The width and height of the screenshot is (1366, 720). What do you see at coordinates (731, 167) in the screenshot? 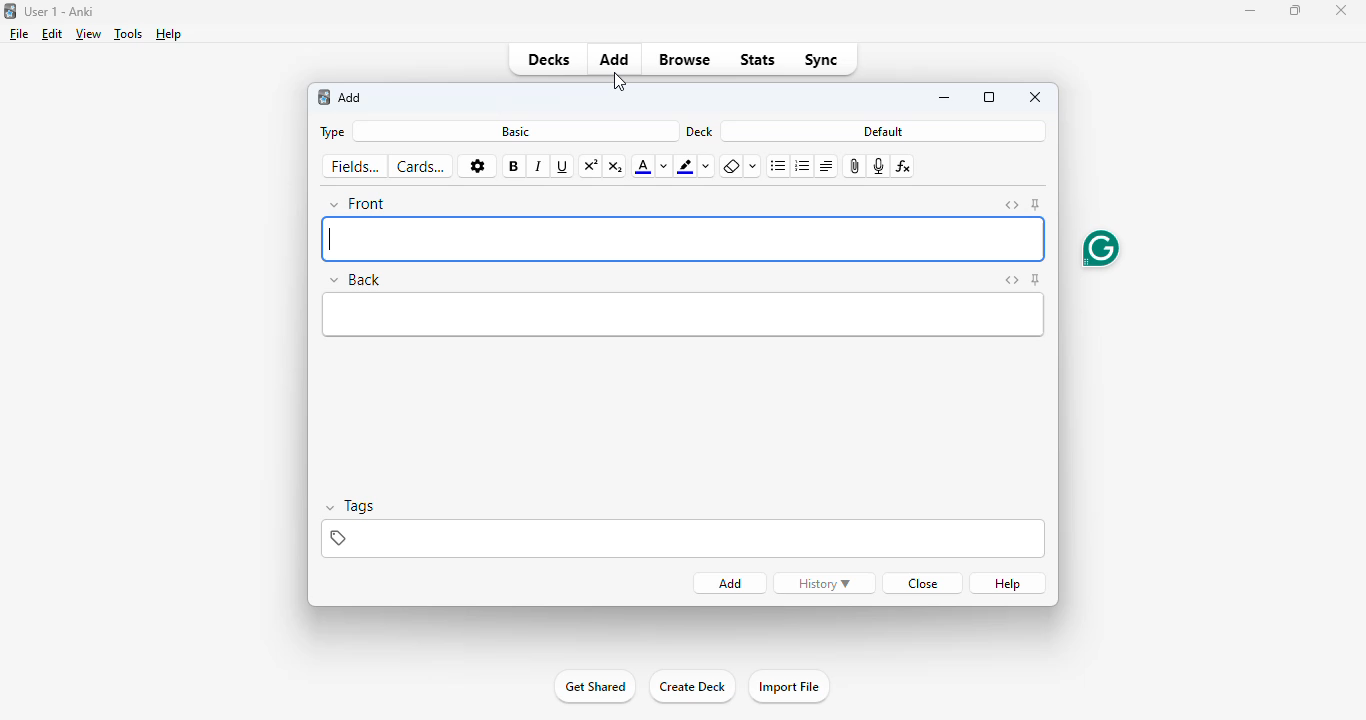
I see `remove formatting` at bounding box center [731, 167].